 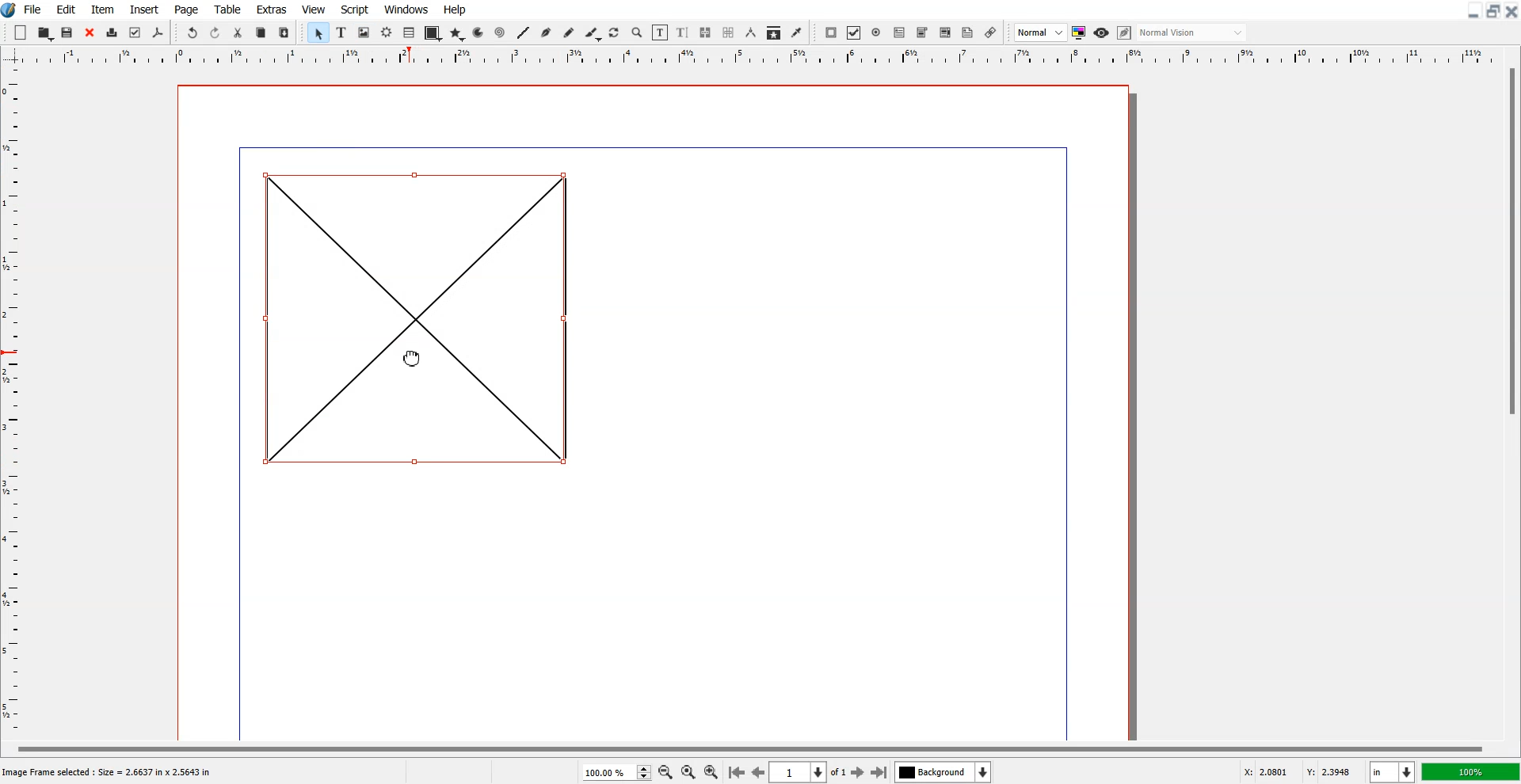 I want to click on Bezier Curve, so click(x=546, y=32).